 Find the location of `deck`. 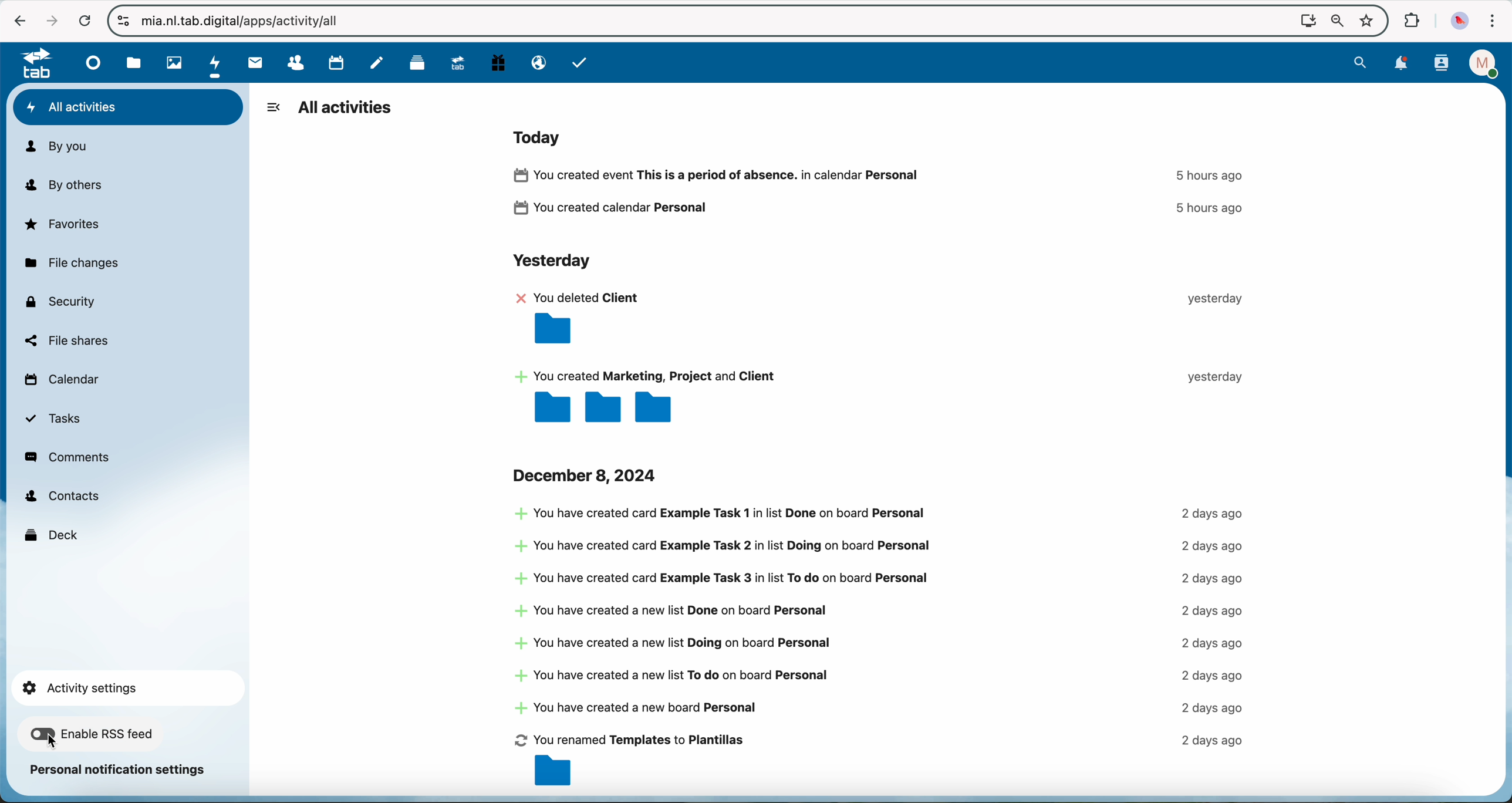

deck is located at coordinates (53, 534).